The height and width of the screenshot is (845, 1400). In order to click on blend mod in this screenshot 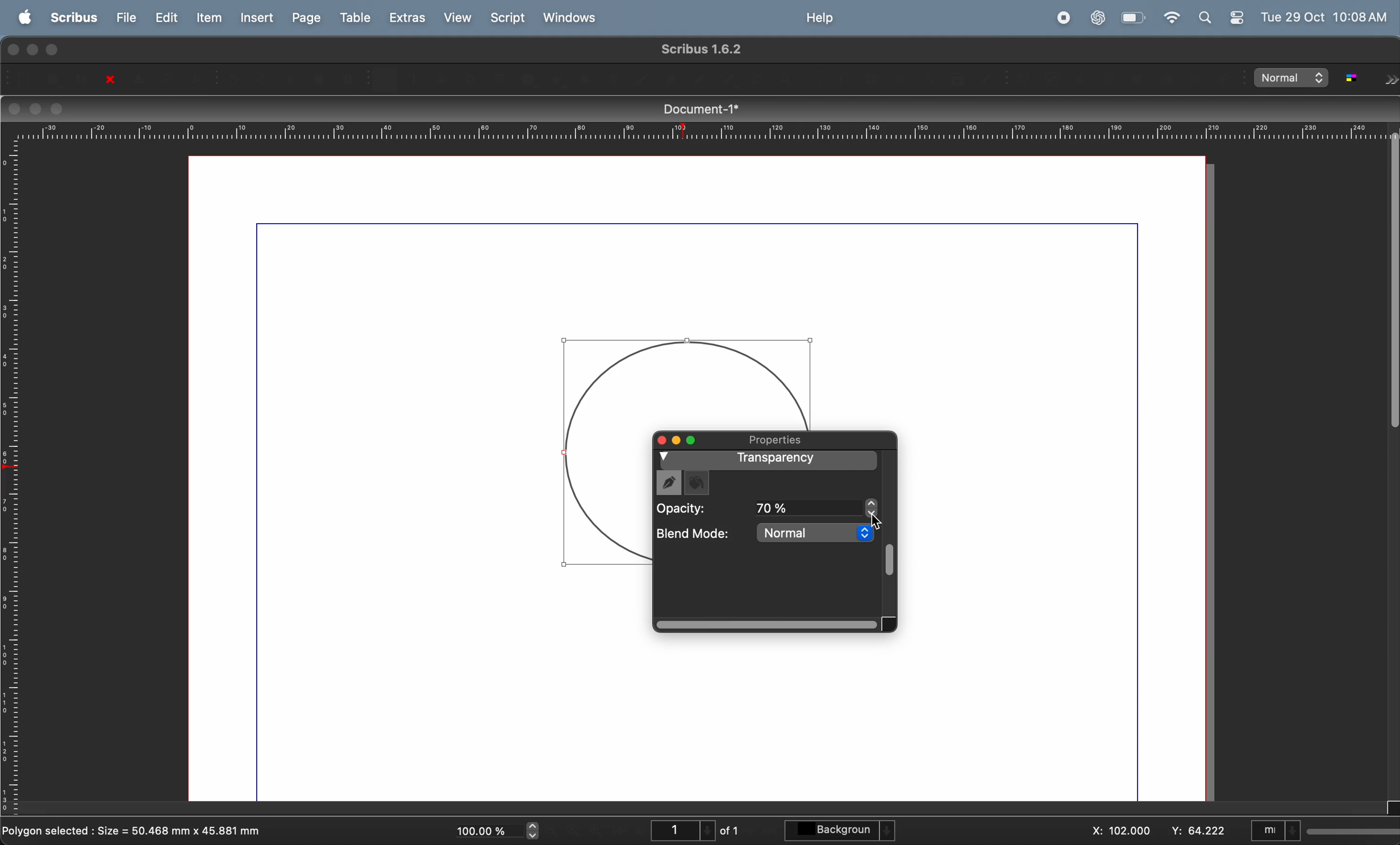, I will do `click(695, 536)`.